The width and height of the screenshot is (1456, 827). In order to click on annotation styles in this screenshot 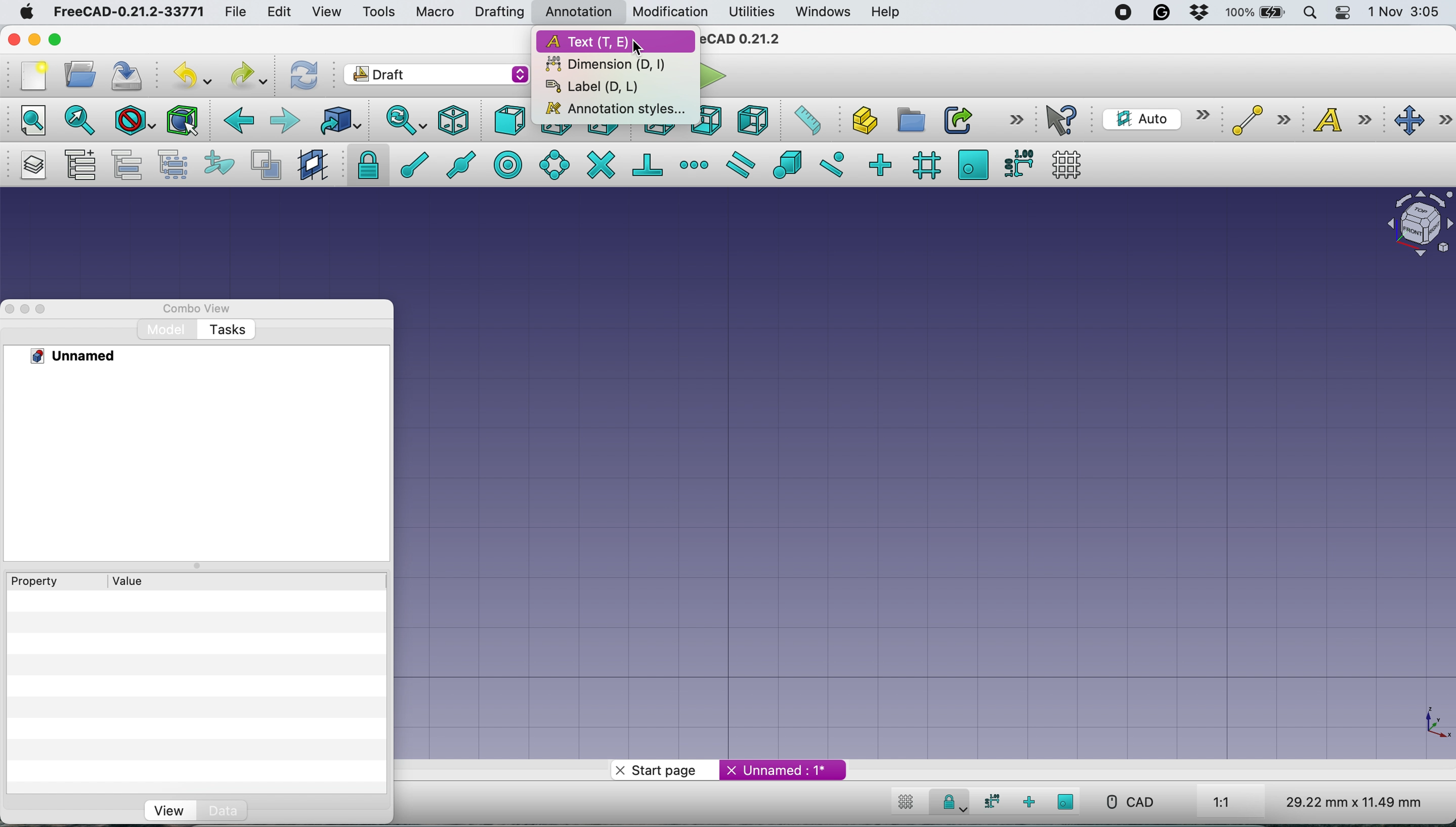, I will do `click(612, 111)`.